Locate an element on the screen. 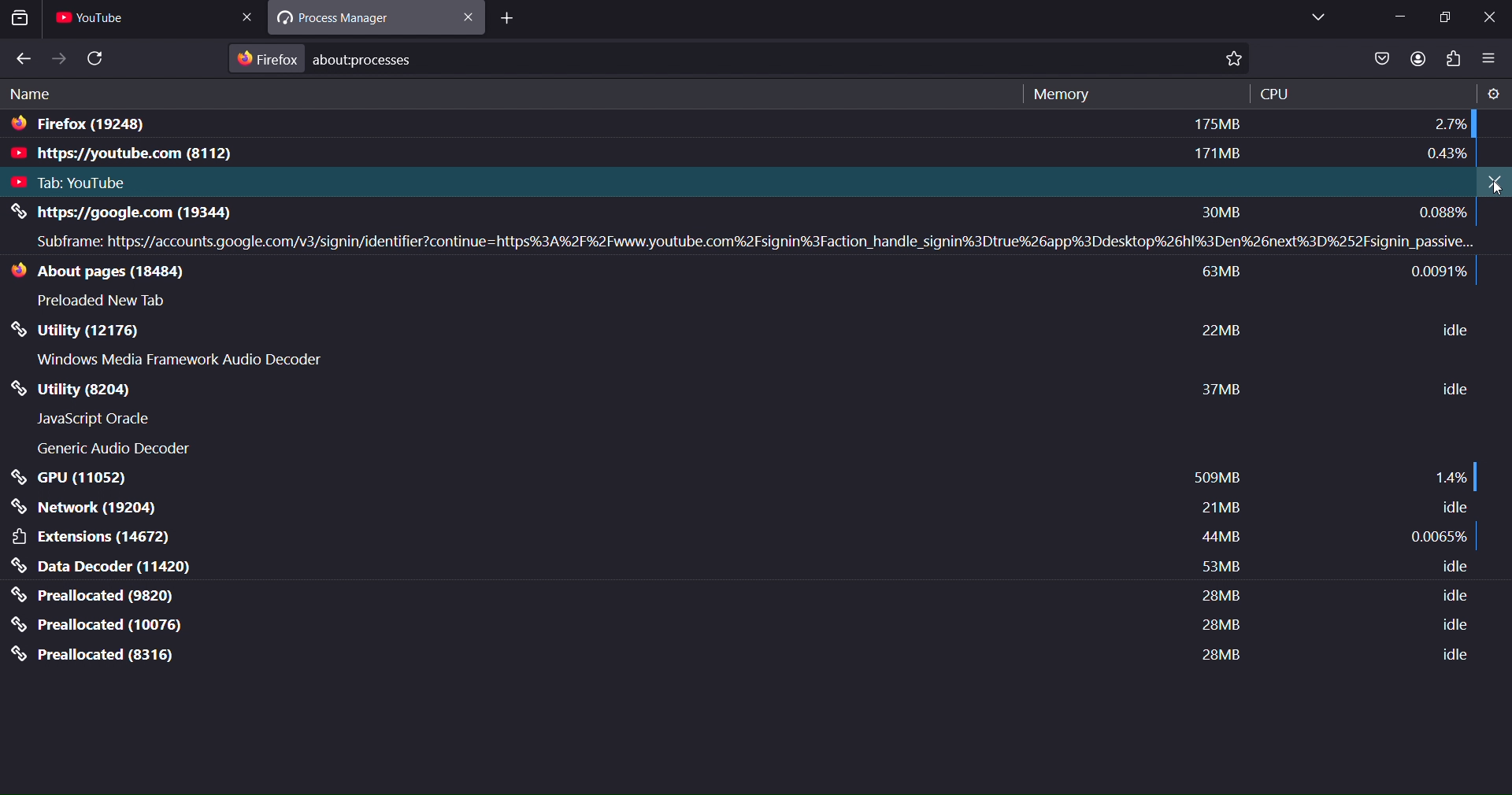 Image resolution: width=1512 pixels, height=795 pixels. idle is located at coordinates (1452, 388).